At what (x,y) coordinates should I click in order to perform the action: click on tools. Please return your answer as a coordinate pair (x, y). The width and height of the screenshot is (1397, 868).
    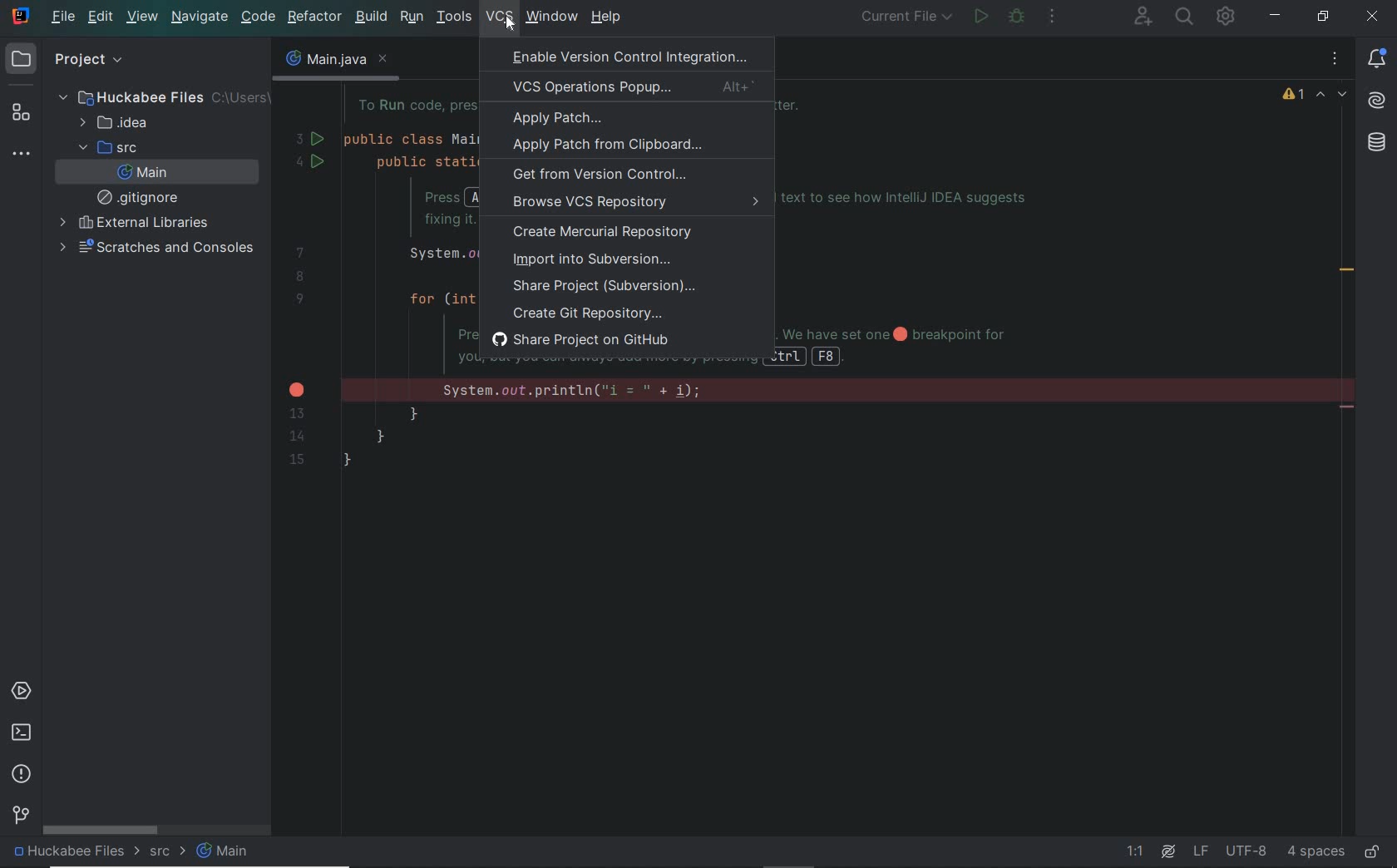
    Looking at the image, I should click on (454, 17).